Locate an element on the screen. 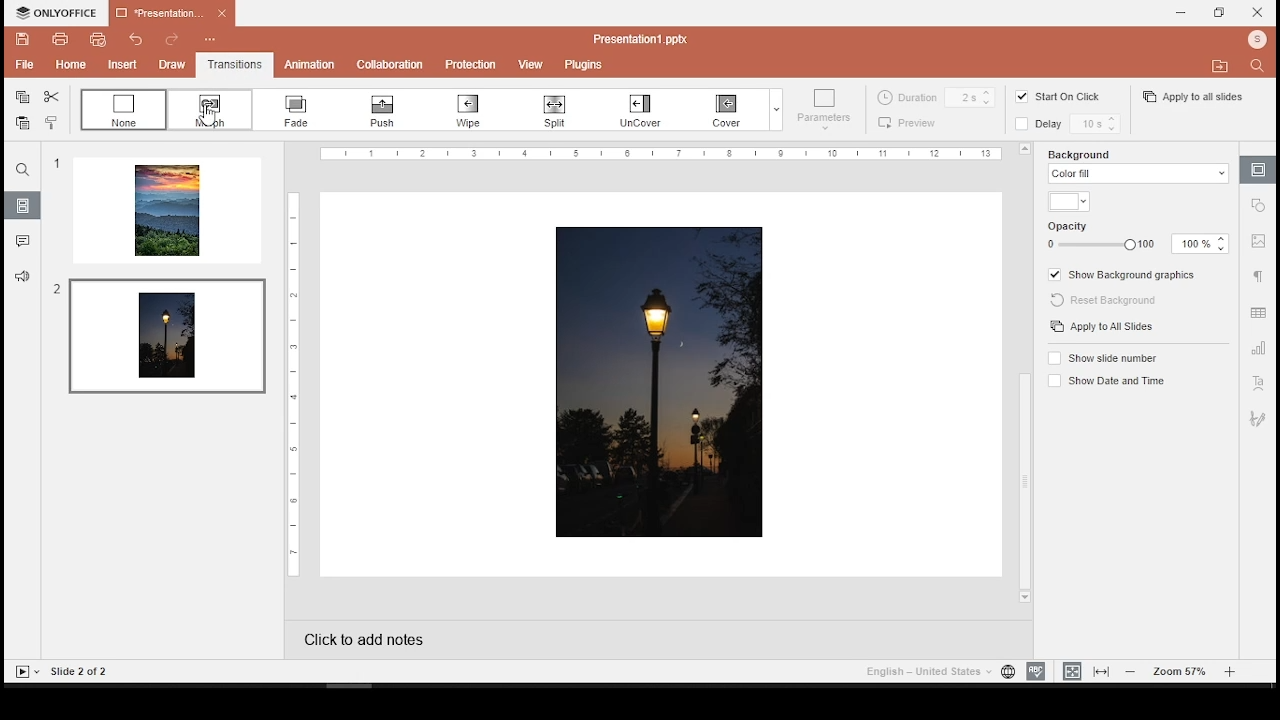 The width and height of the screenshot is (1280, 720). onlyoffice is located at coordinates (53, 12).